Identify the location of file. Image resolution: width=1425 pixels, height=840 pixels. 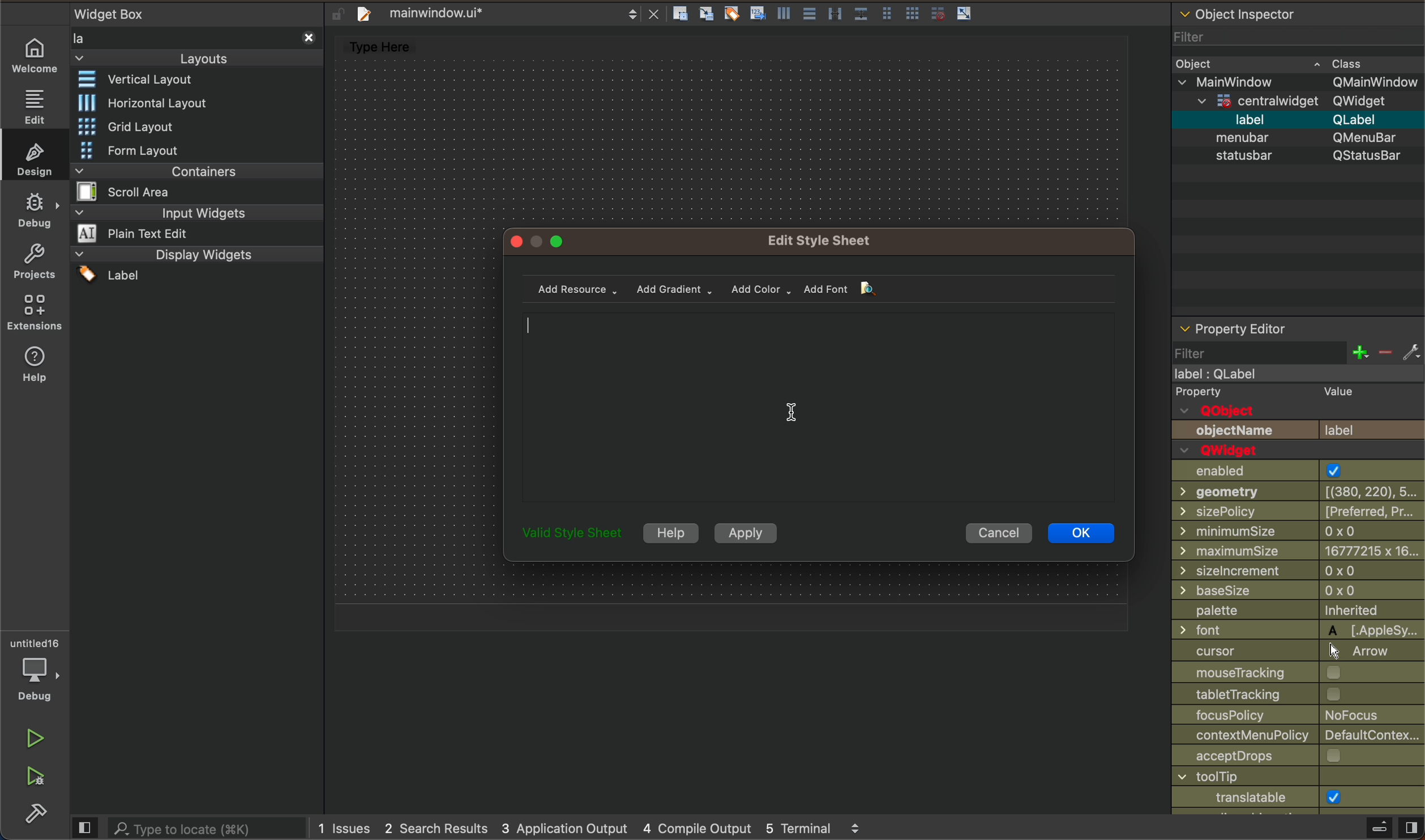
(504, 12).